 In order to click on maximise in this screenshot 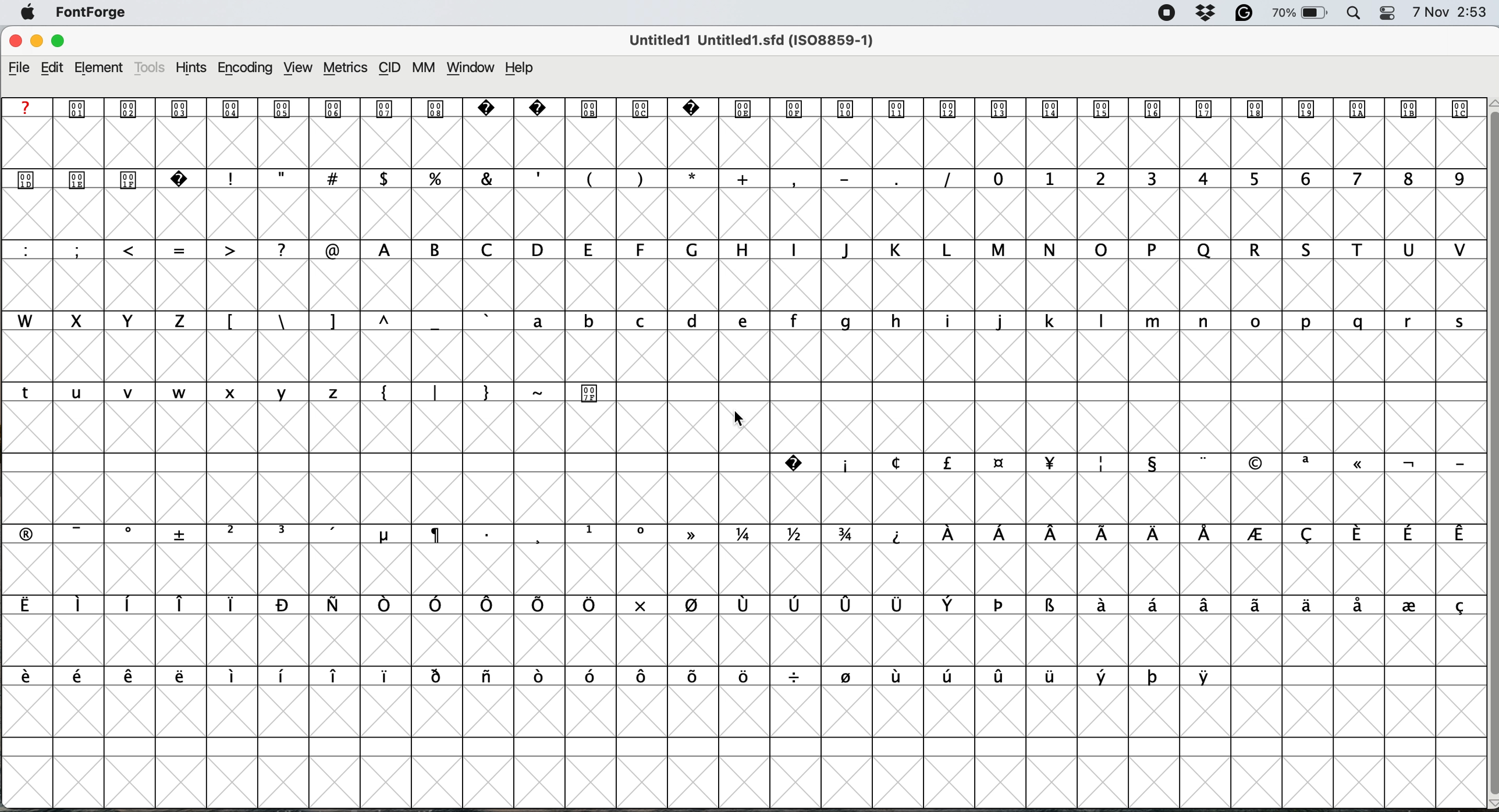, I will do `click(57, 40)`.